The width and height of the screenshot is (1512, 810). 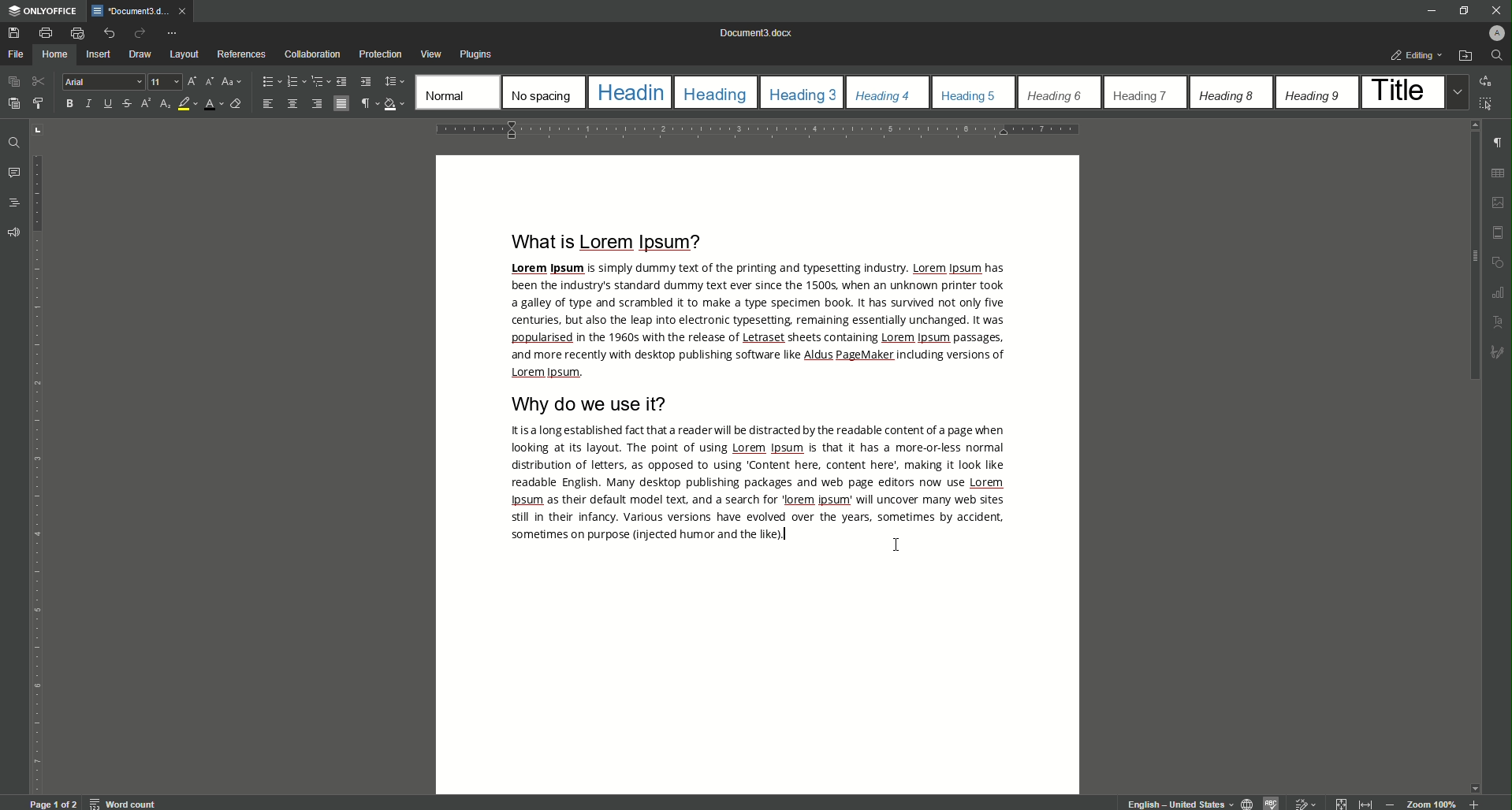 I want to click on File, so click(x=18, y=54).